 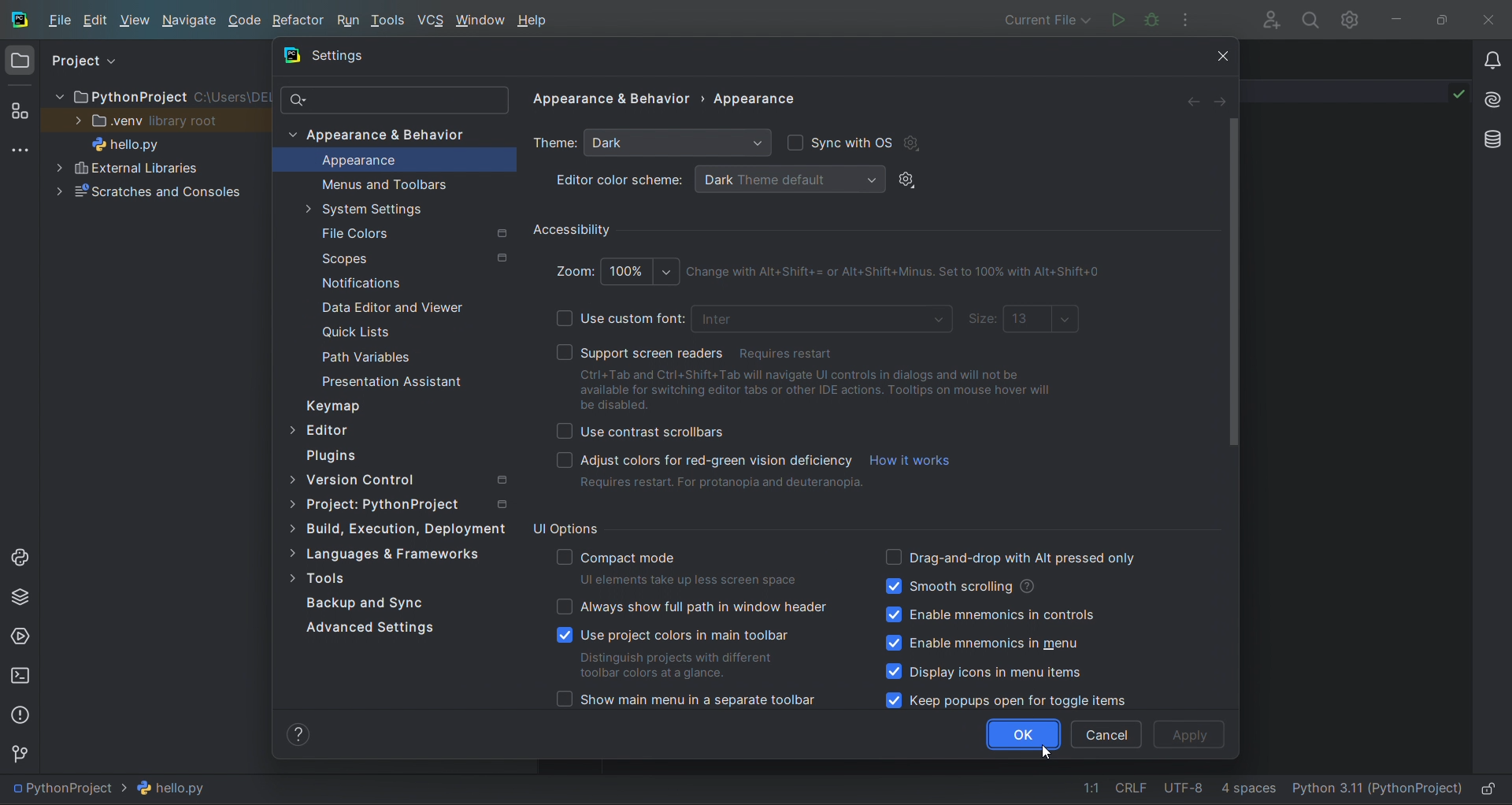 I want to click on Advance Settings, so click(x=385, y=629).